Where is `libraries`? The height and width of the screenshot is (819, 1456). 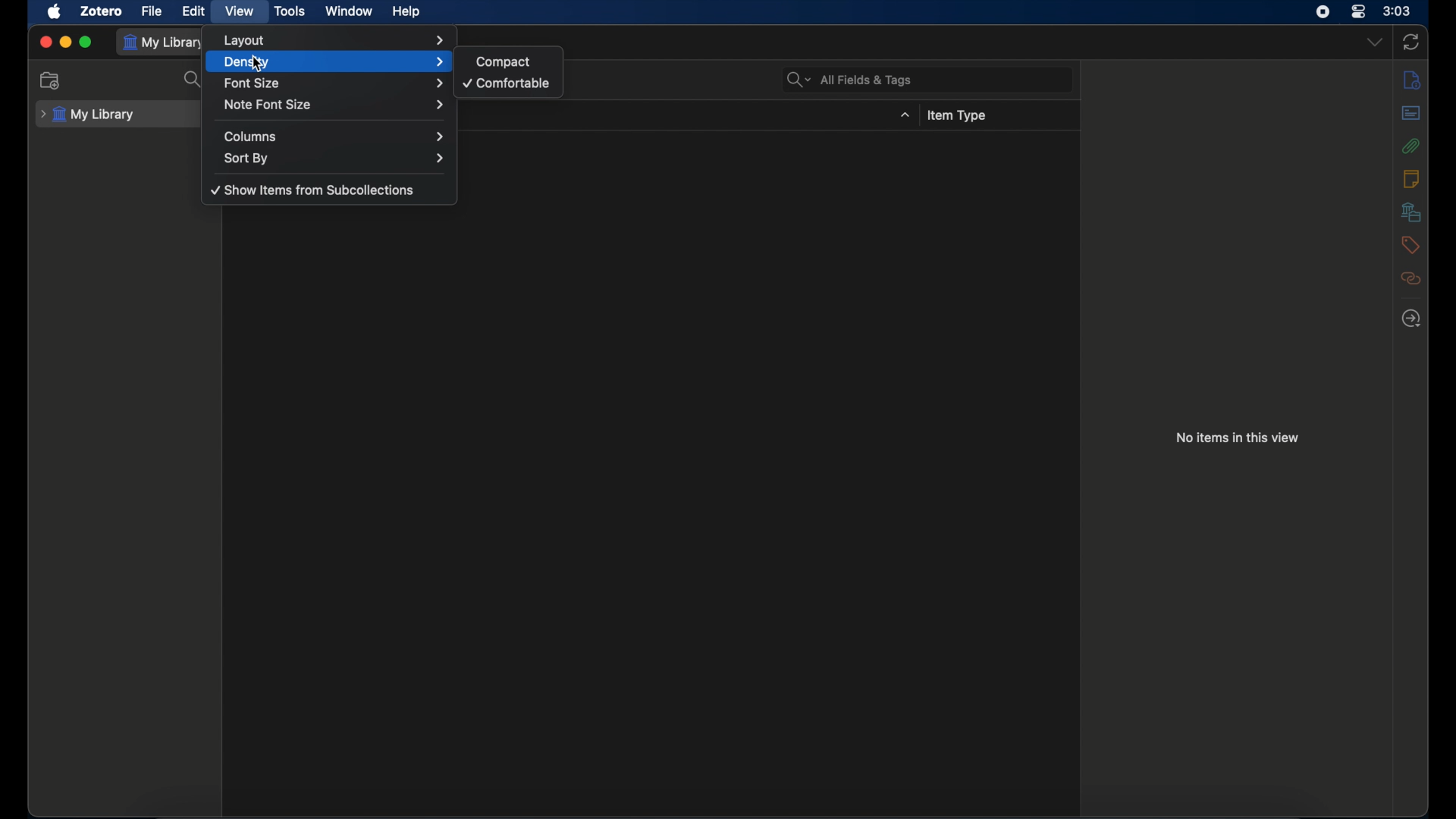 libraries is located at coordinates (1414, 212).